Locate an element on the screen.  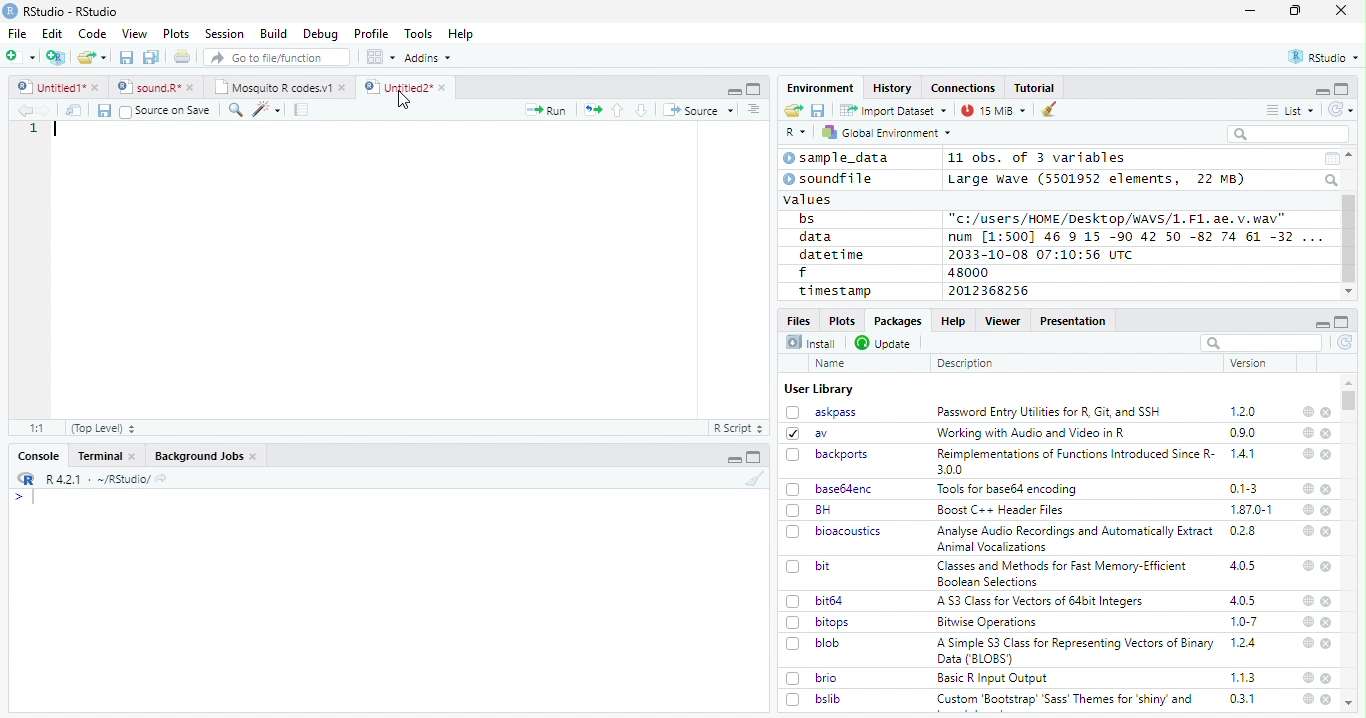
timestamp is located at coordinates (834, 290).